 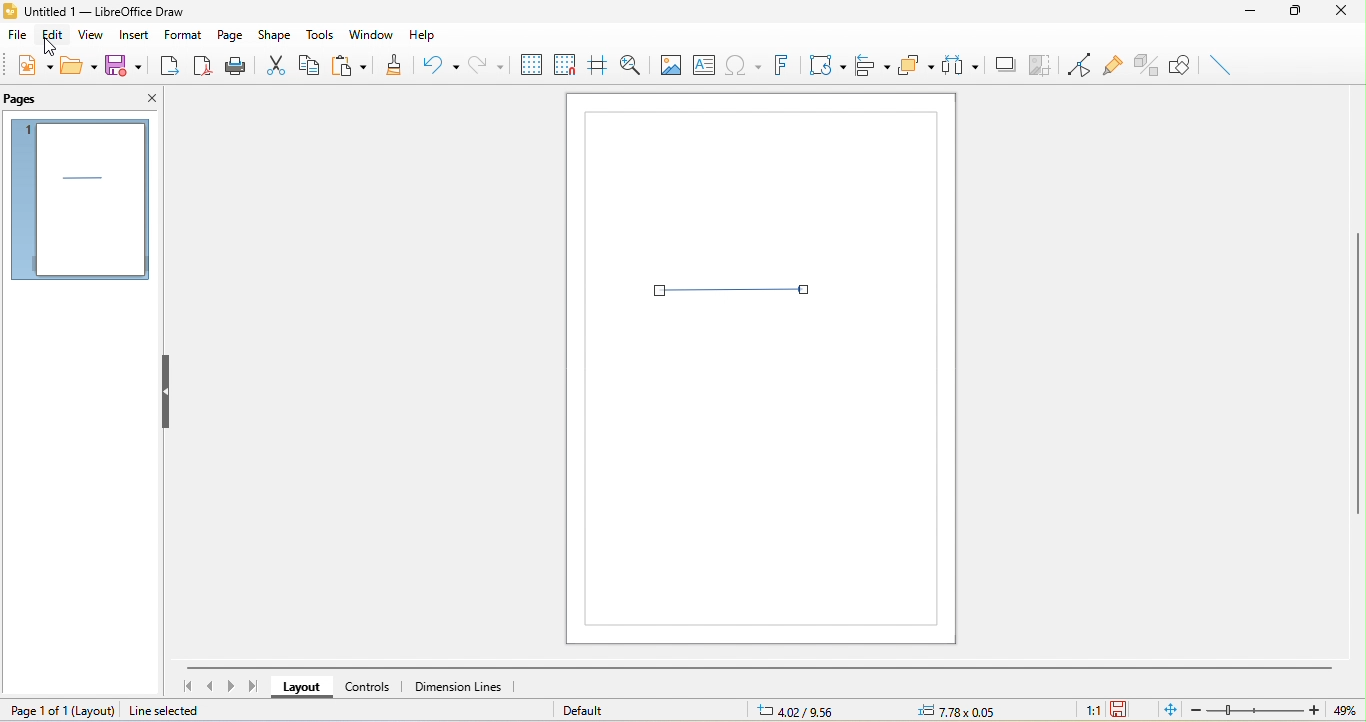 What do you see at coordinates (742, 64) in the screenshot?
I see `special character` at bounding box center [742, 64].